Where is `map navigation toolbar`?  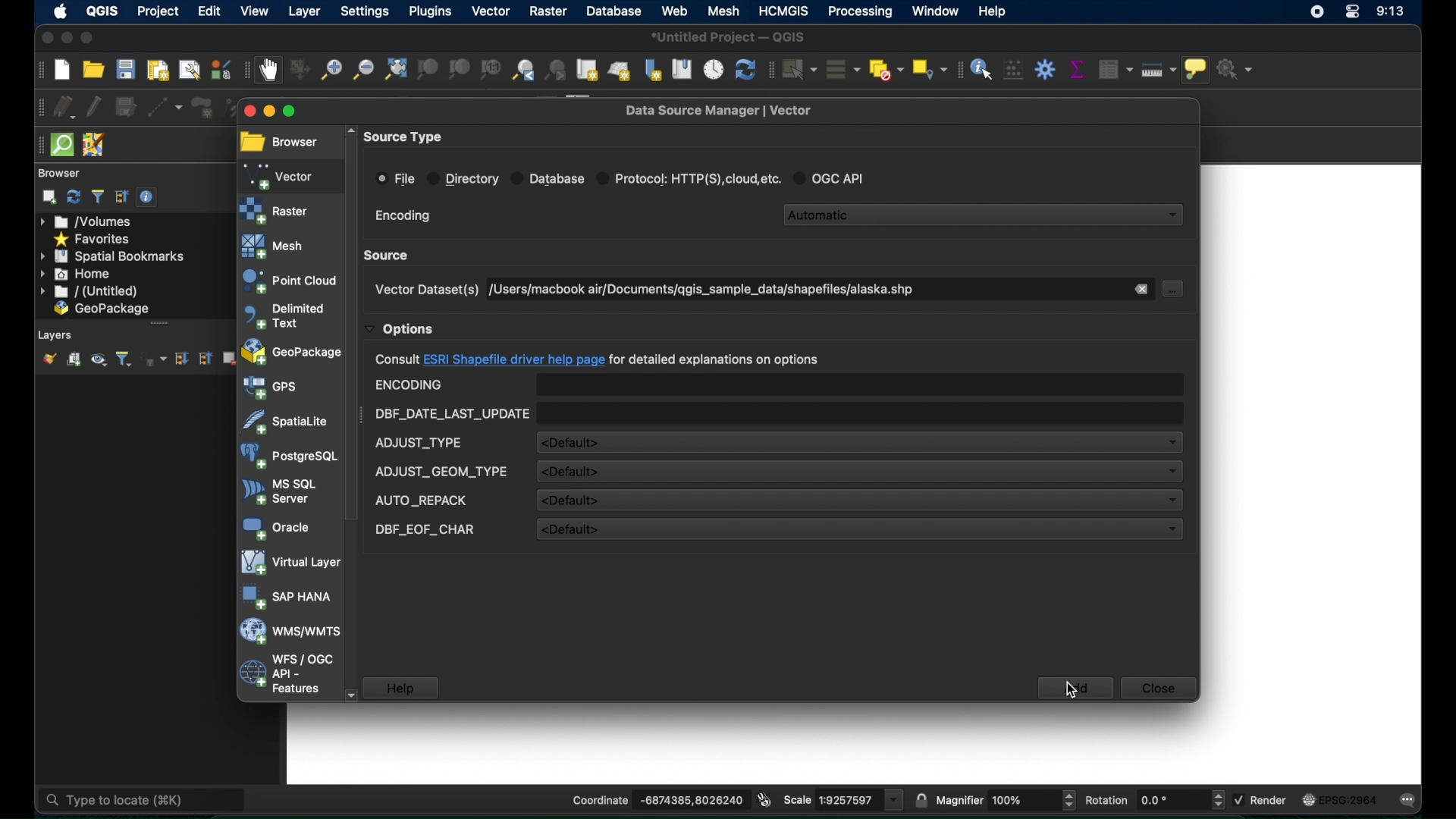
map navigation toolbar is located at coordinates (245, 72).